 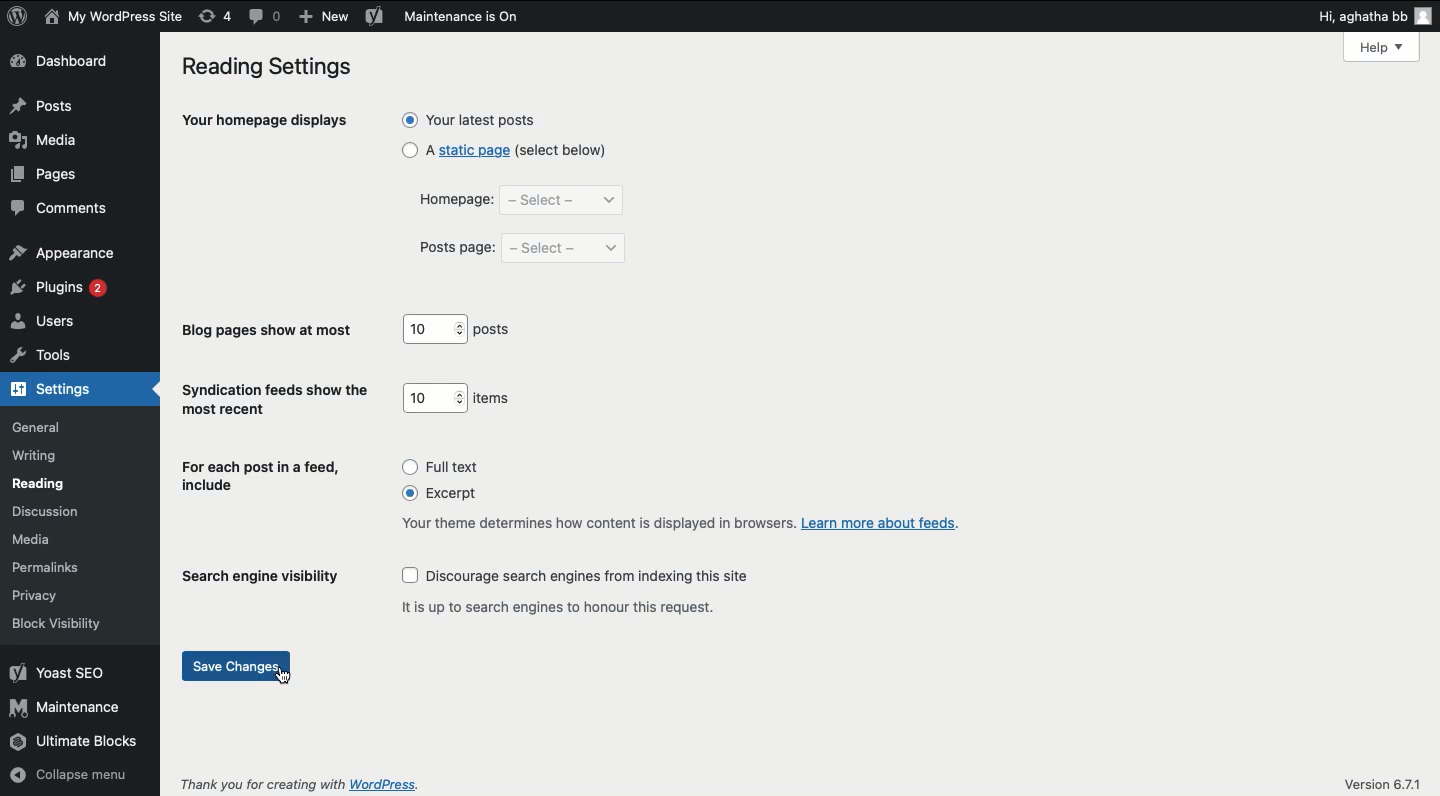 I want to click on your latest posts, so click(x=469, y=120).